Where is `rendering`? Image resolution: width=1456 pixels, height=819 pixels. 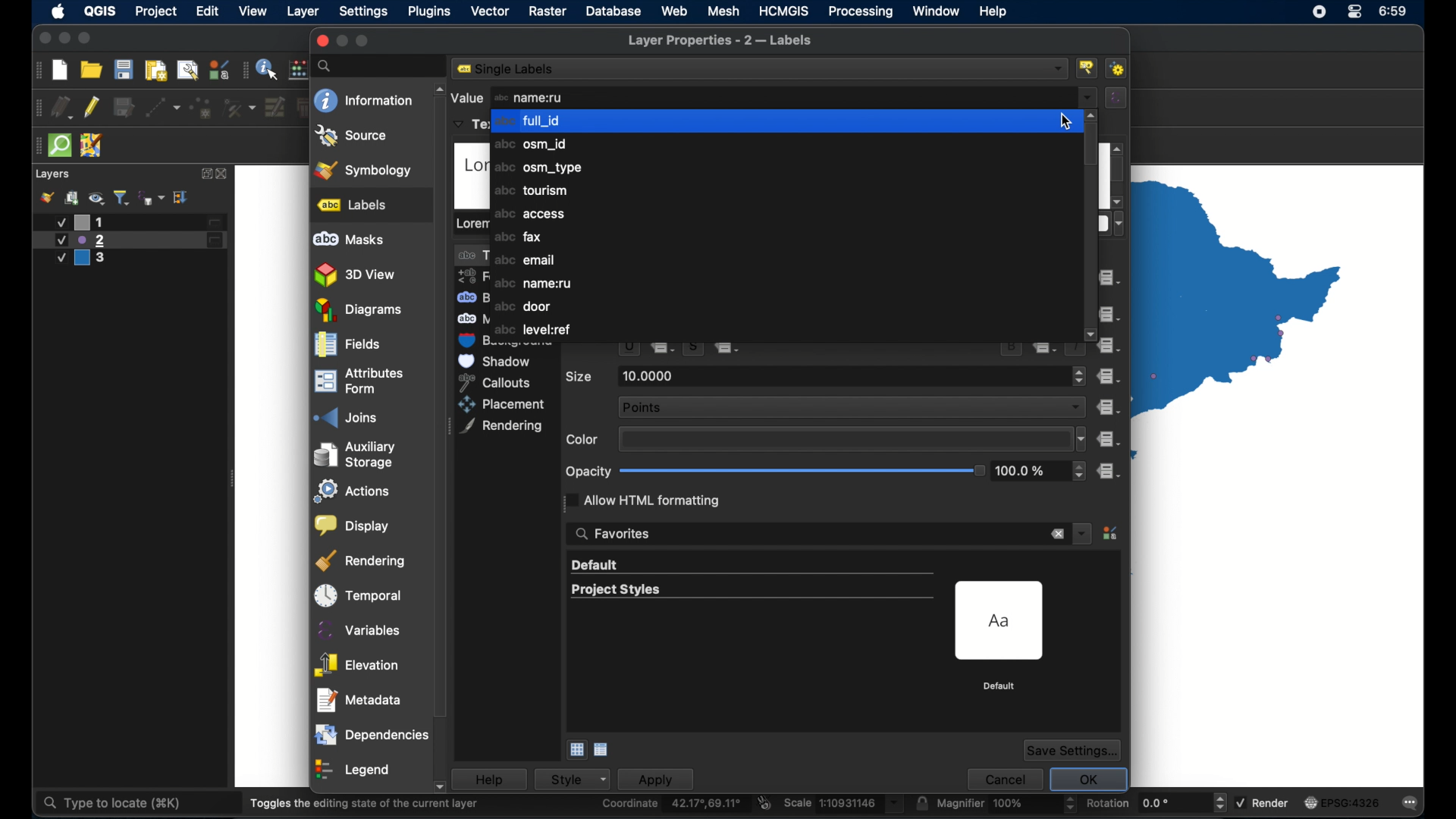 rendering is located at coordinates (361, 557).